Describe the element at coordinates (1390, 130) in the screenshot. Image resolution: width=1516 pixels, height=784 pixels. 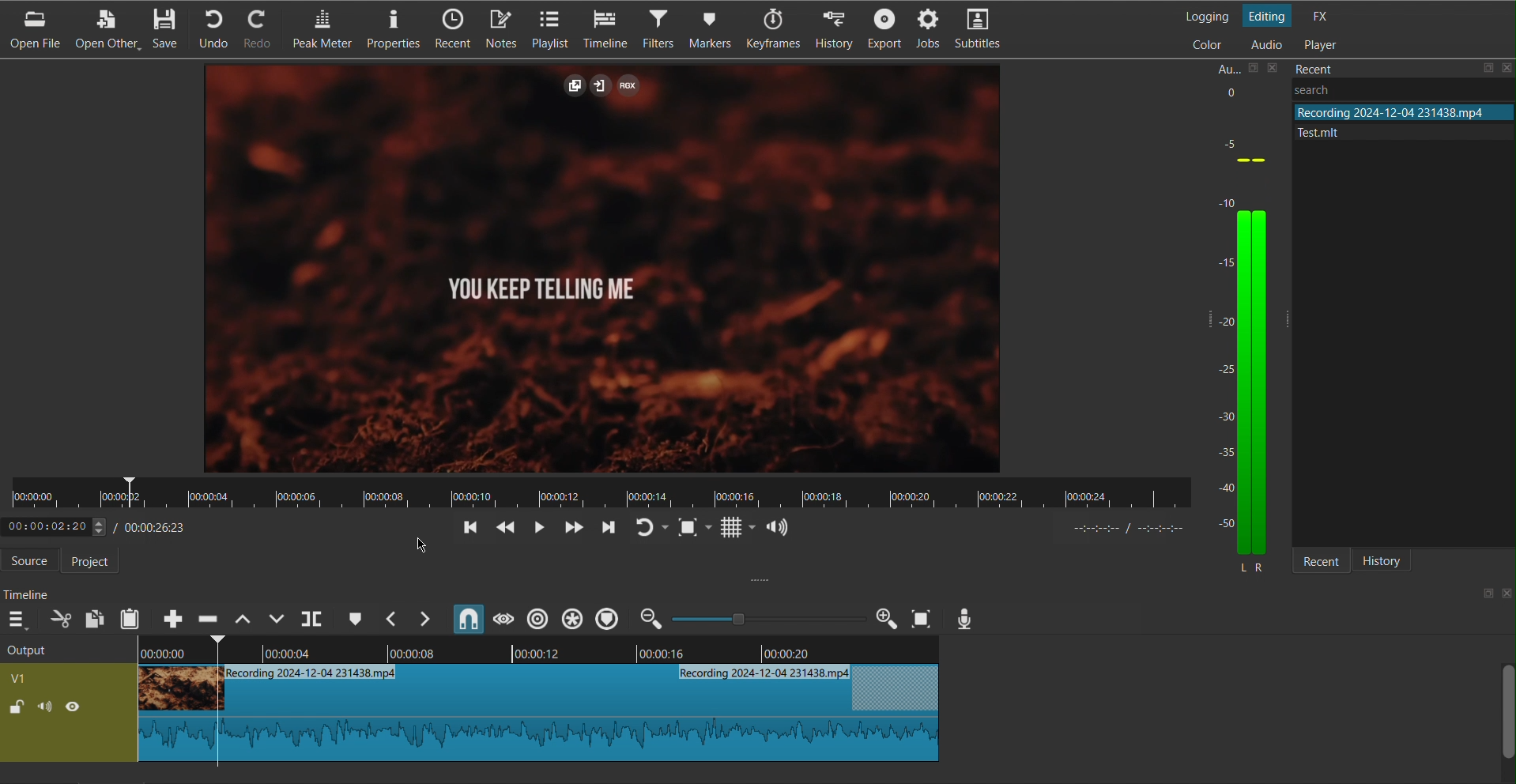
I see `file` at that location.